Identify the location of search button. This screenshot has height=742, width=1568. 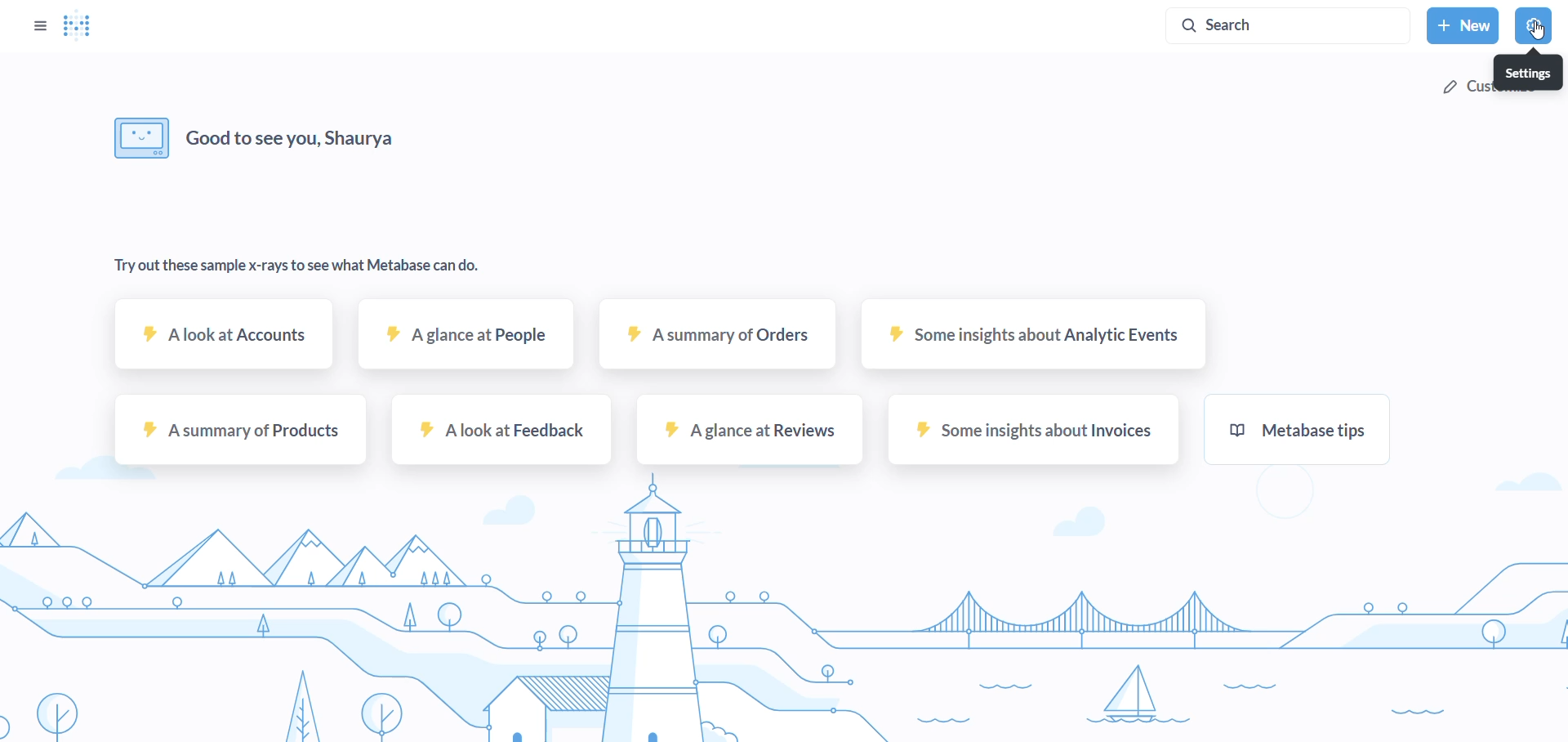
(1285, 26).